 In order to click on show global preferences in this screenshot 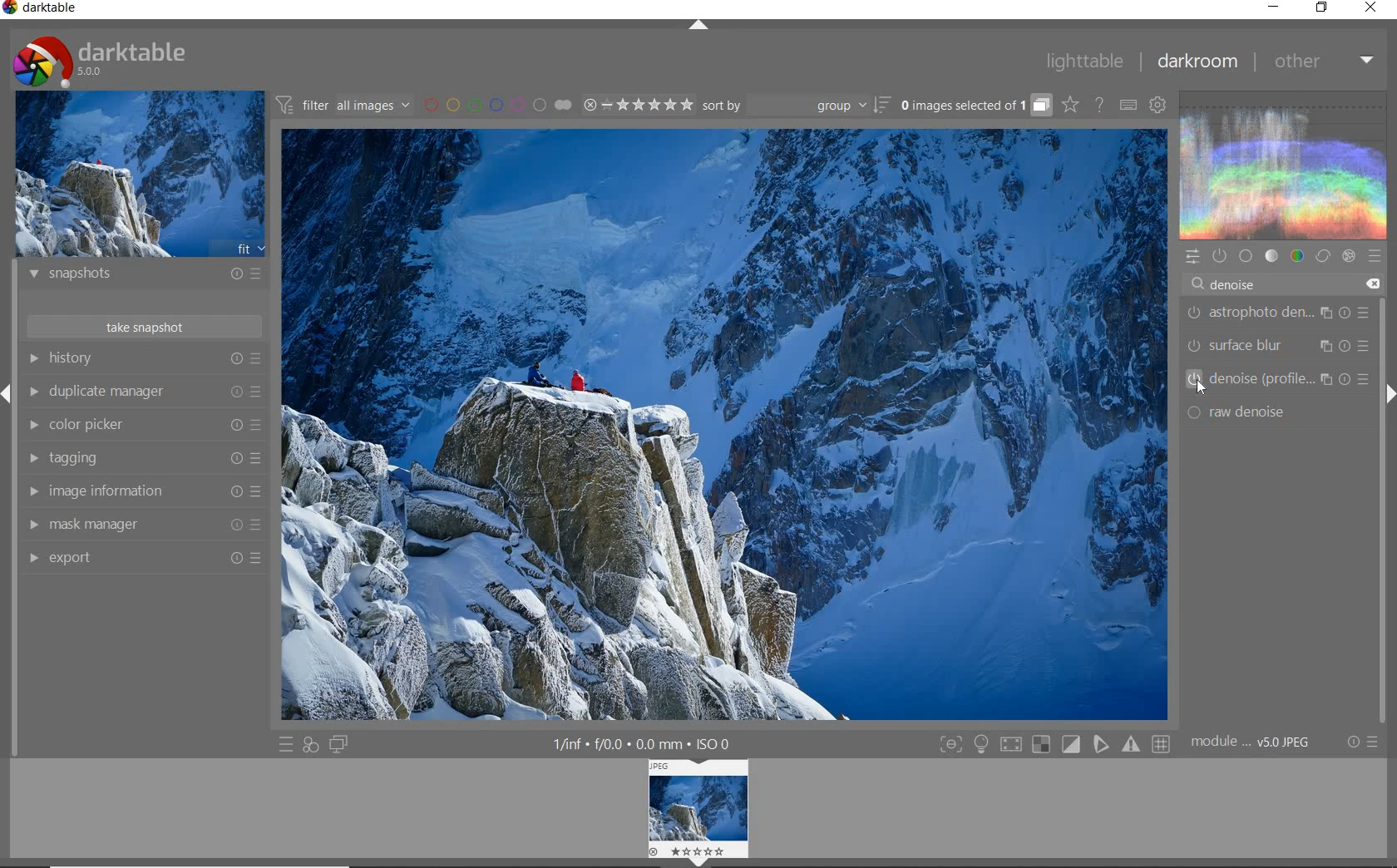, I will do `click(1158, 104)`.